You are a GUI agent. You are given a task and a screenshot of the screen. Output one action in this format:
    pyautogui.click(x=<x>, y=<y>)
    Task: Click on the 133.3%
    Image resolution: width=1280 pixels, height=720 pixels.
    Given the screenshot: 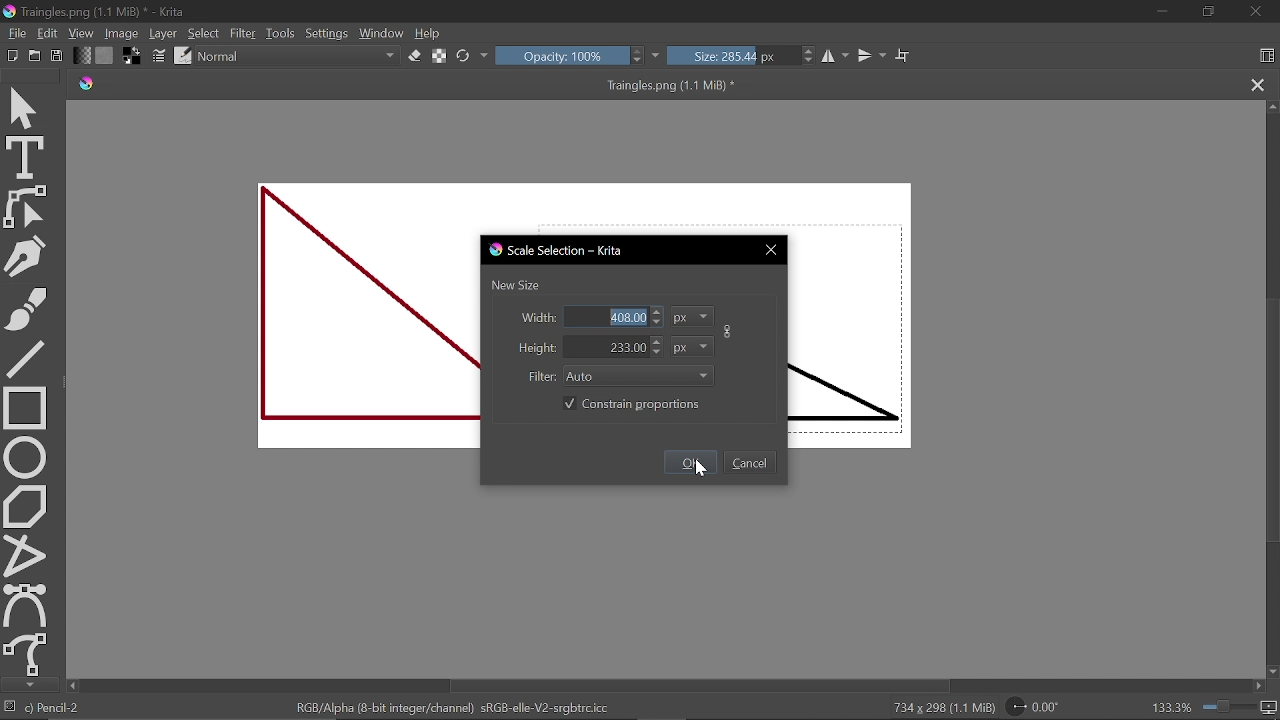 What is the action you would take?
    pyautogui.click(x=1215, y=707)
    